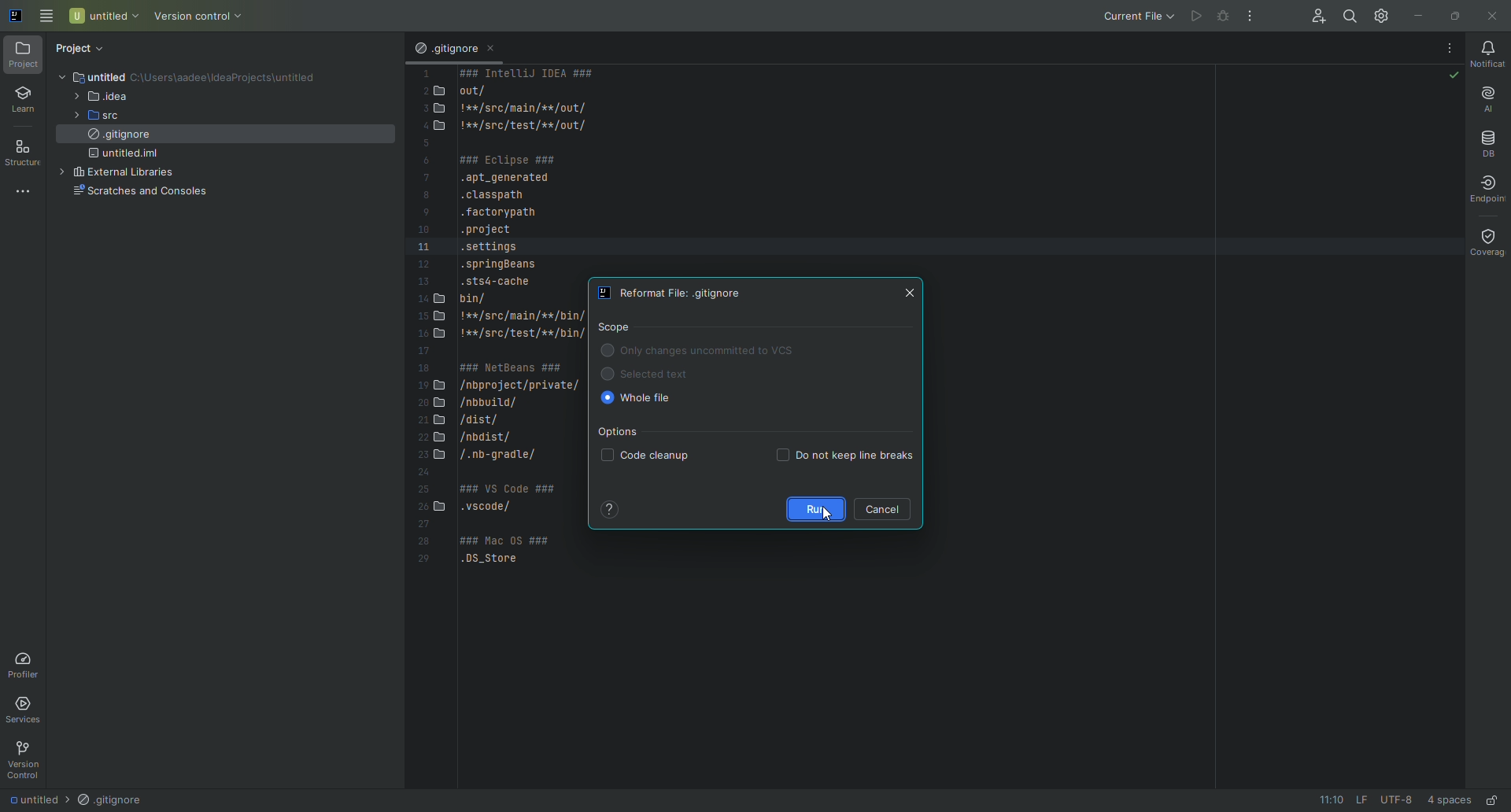 The width and height of the screenshot is (1511, 812). I want to click on Services, so click(29, 710).